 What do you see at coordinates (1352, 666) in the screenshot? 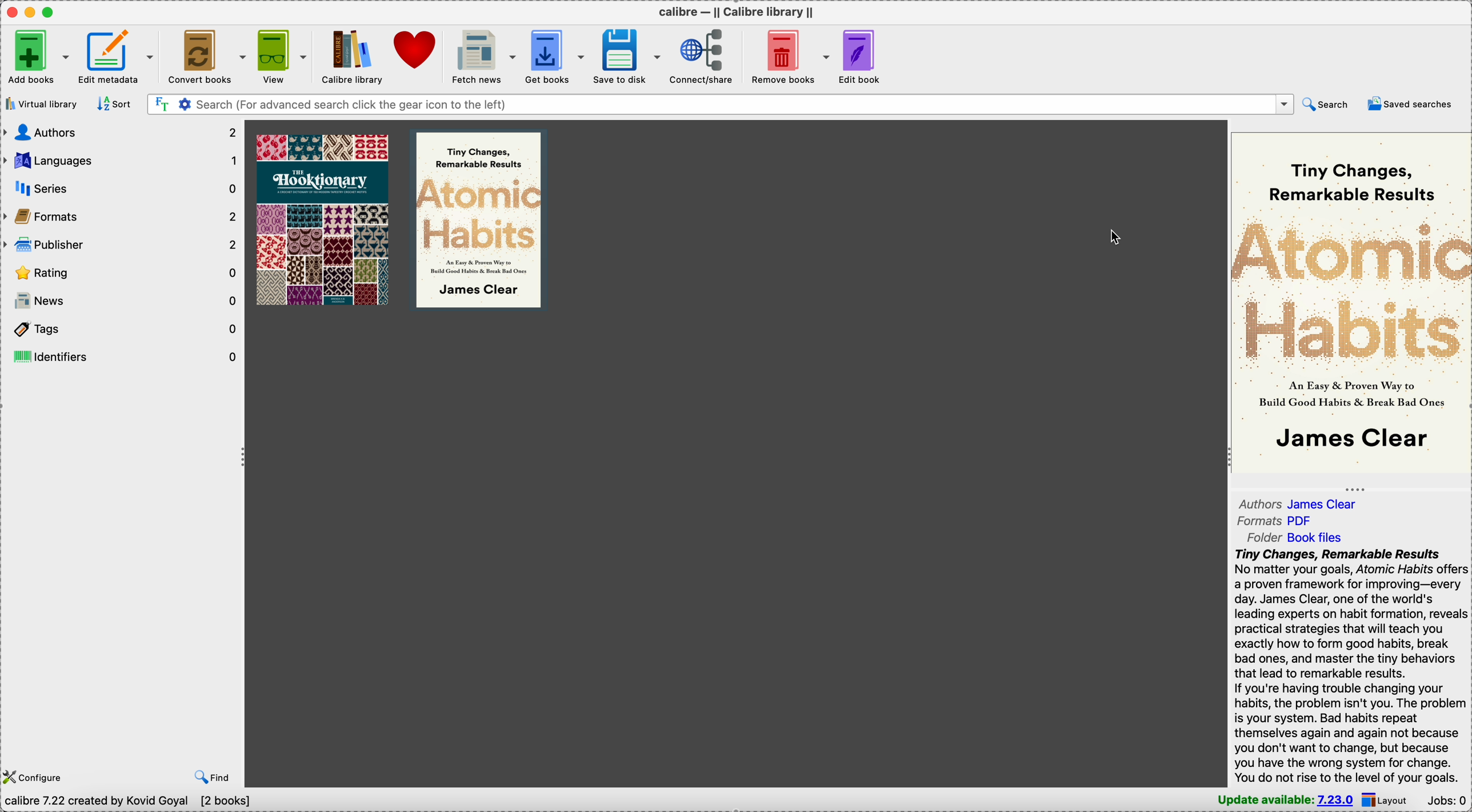
I see `Tiny Changes, Remarkable Results

No matter your goals, Atomic Habits offers
a proven framework for improving—every
day. James Clear, one of the world's
leading experts on habit formation, reveals
practical strategies that will teach you
exactly how to form good habits, break
bad ones, and master the tiny behaviors
that lead to remarkable results.

If you're having trouble changing your
habits, the problem isn't you. The problem
is your system. Bad habits repeat
themselves again and again not because
you don't want to change, but because
you have the wrong system for change.
You do not rise to the level of your goals.` at bounding box center [1352, 666].